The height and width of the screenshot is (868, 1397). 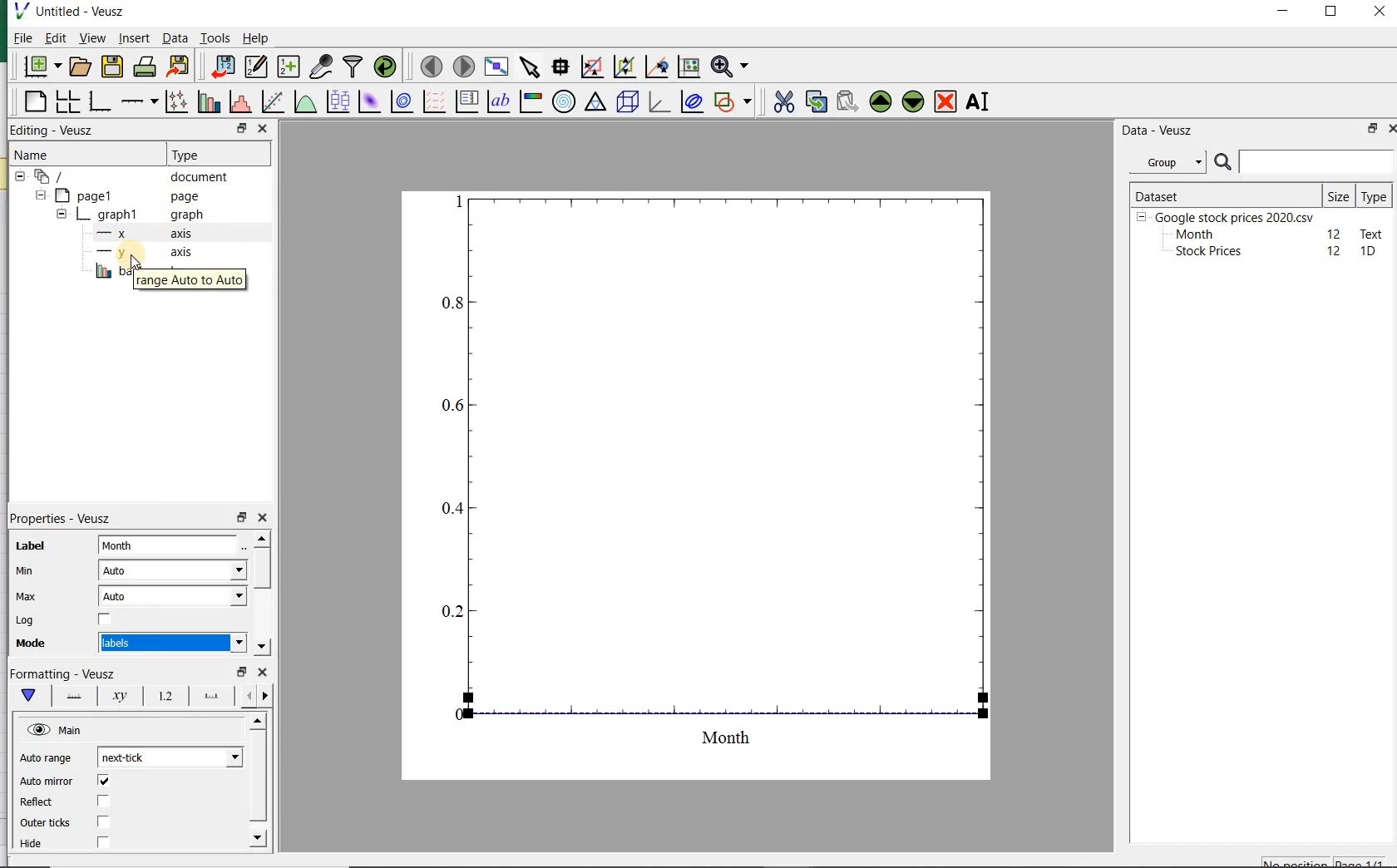 What do you see at coordinates (399, 103) in the screenshot?
I see `plot a 2d dataset as contours` at bounding box center [399, 103].